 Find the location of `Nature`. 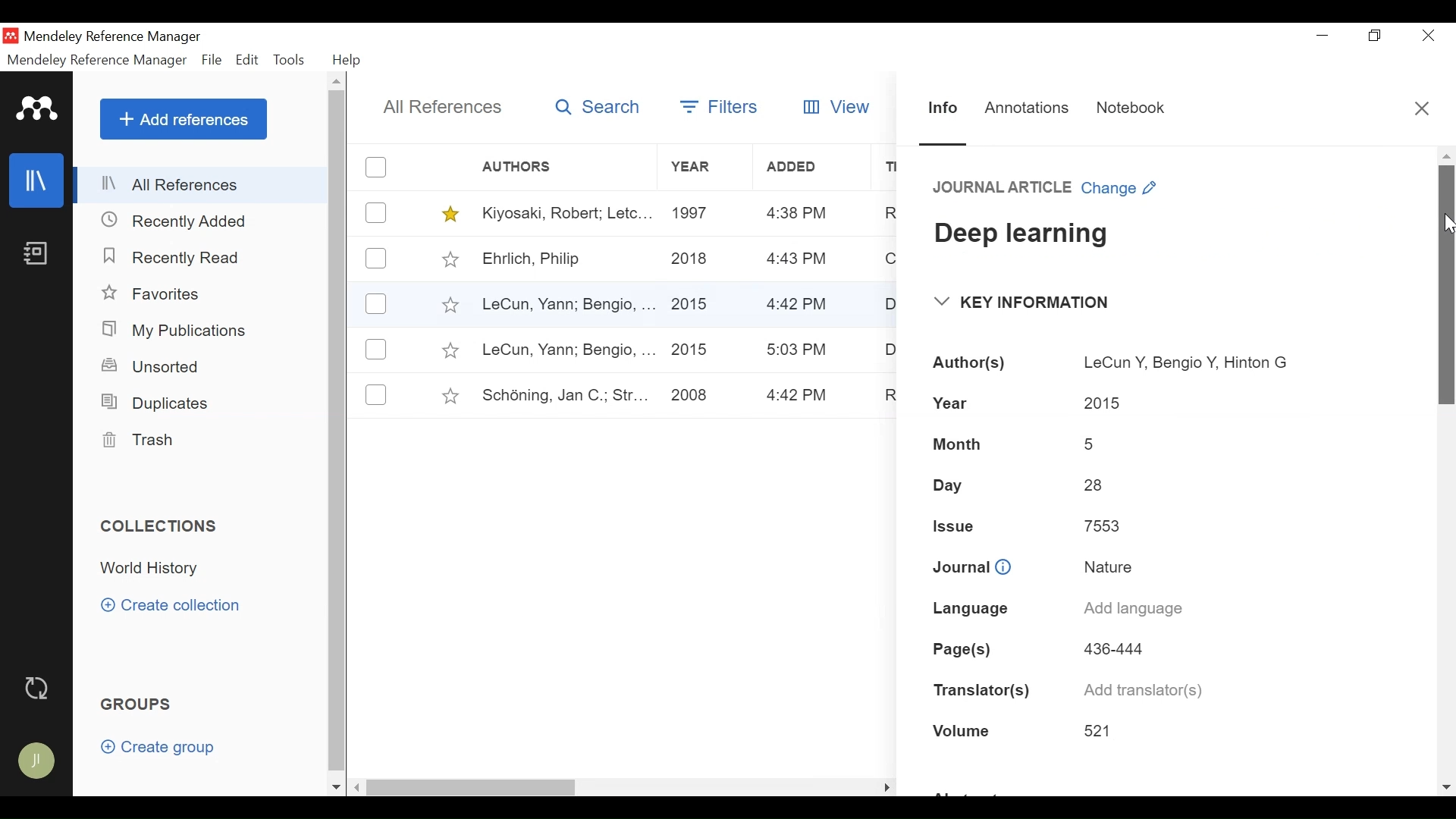

Nature is located at coordinates (1106, 564).